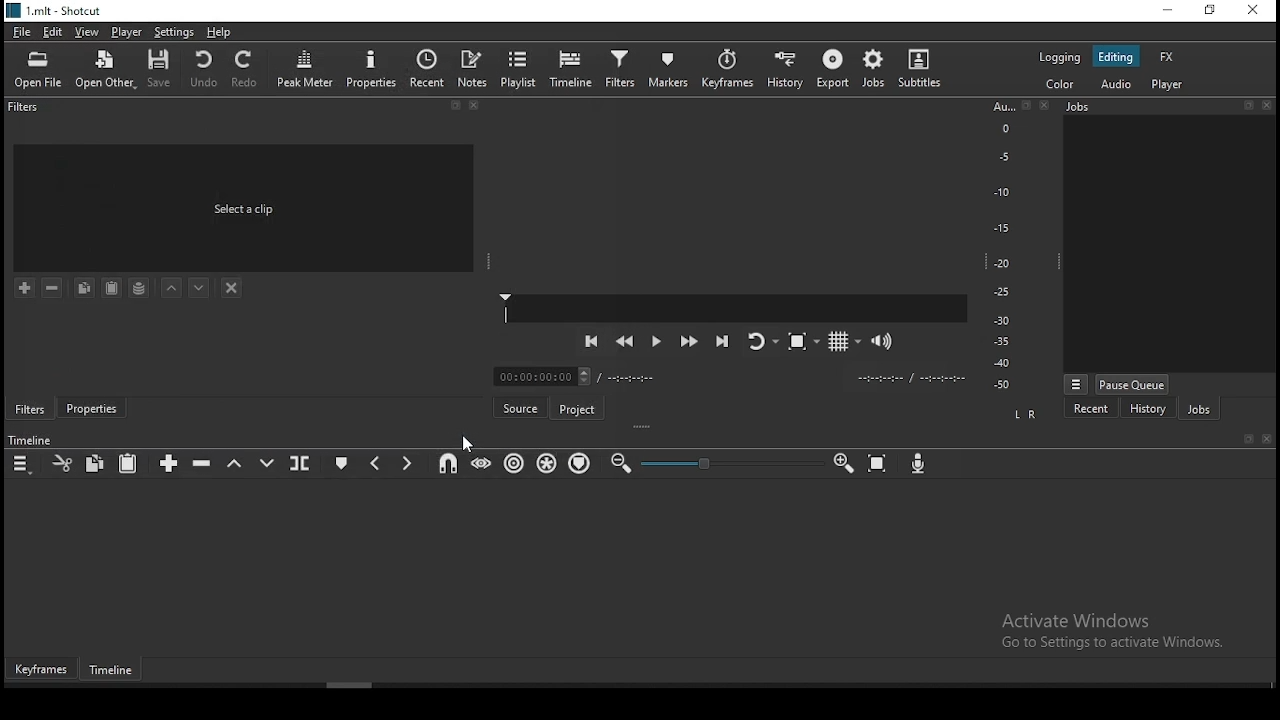  I want to click on notes, so click(474, 68).